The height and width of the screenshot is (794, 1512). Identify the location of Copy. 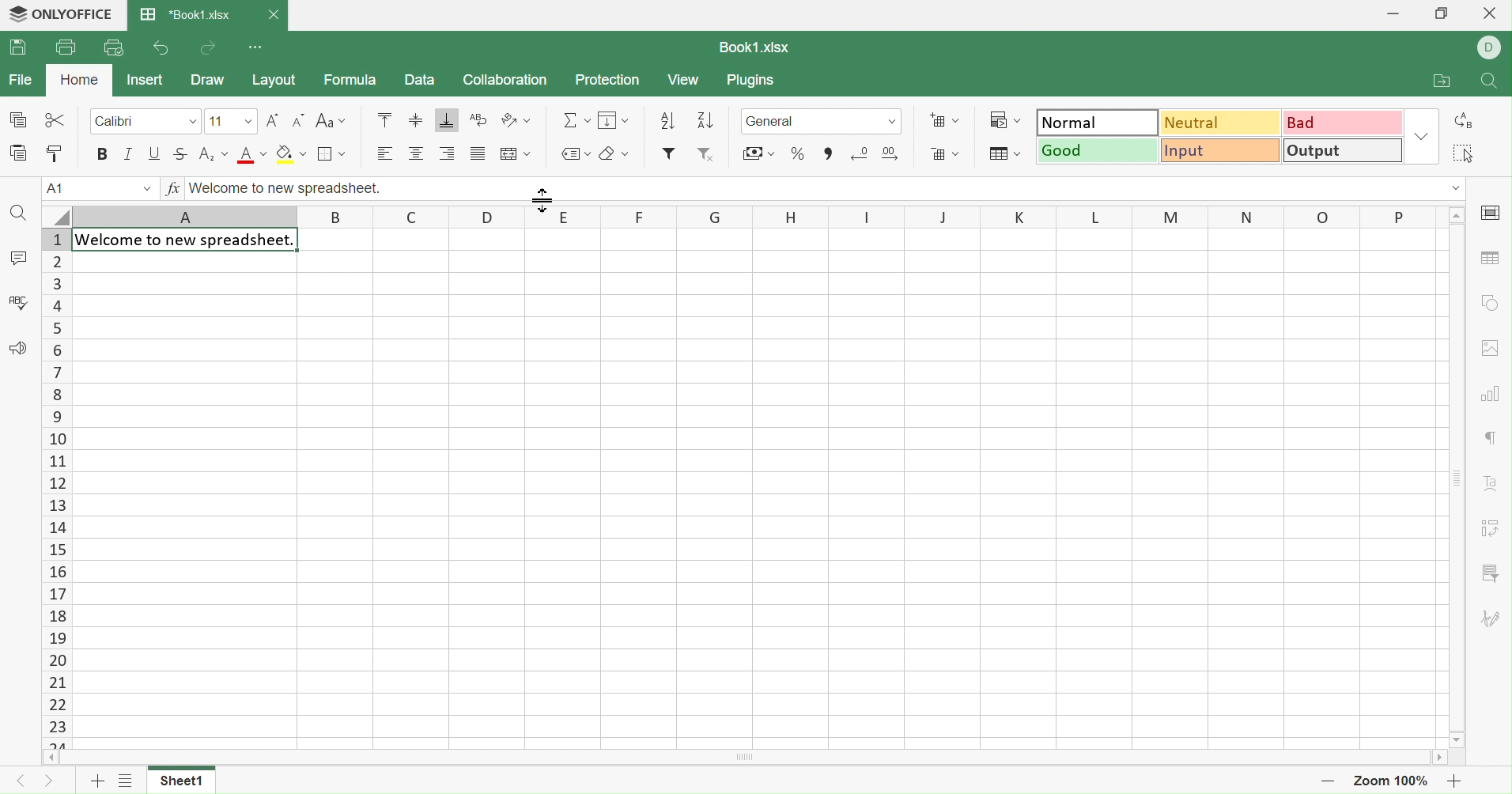
(16, 118).